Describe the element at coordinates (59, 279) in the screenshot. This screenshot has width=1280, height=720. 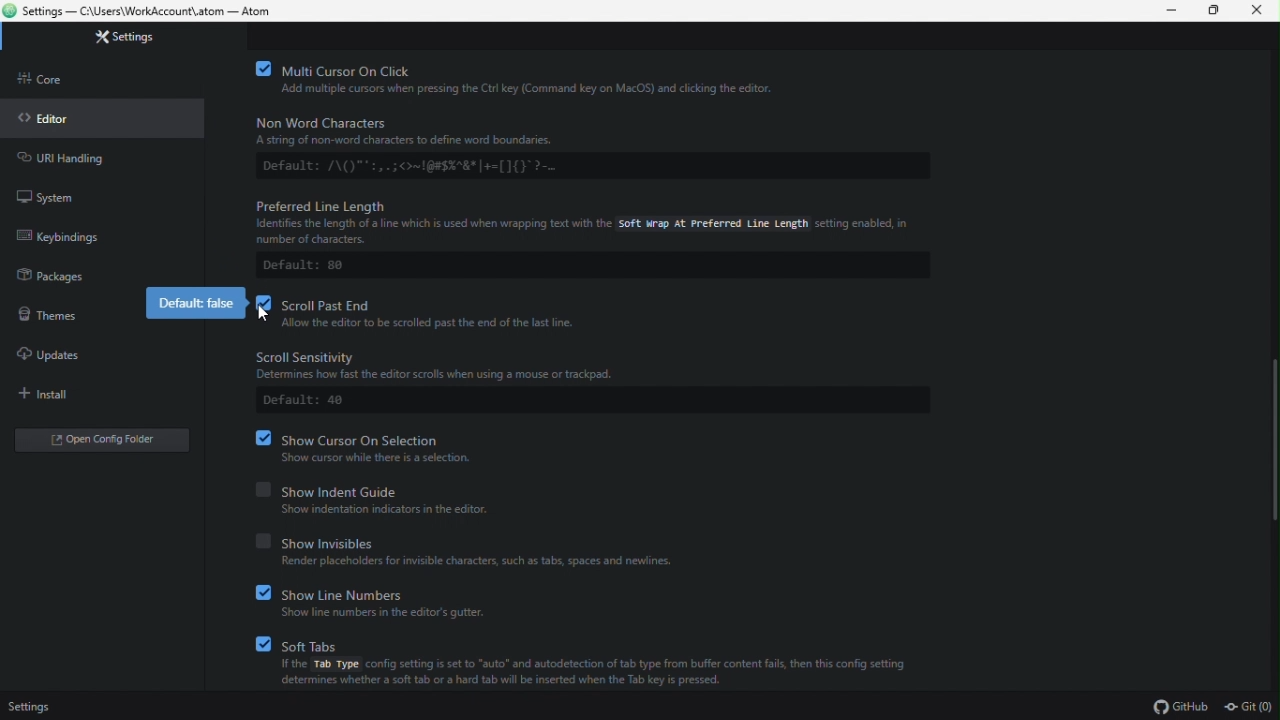
I see `Packages` at that location.